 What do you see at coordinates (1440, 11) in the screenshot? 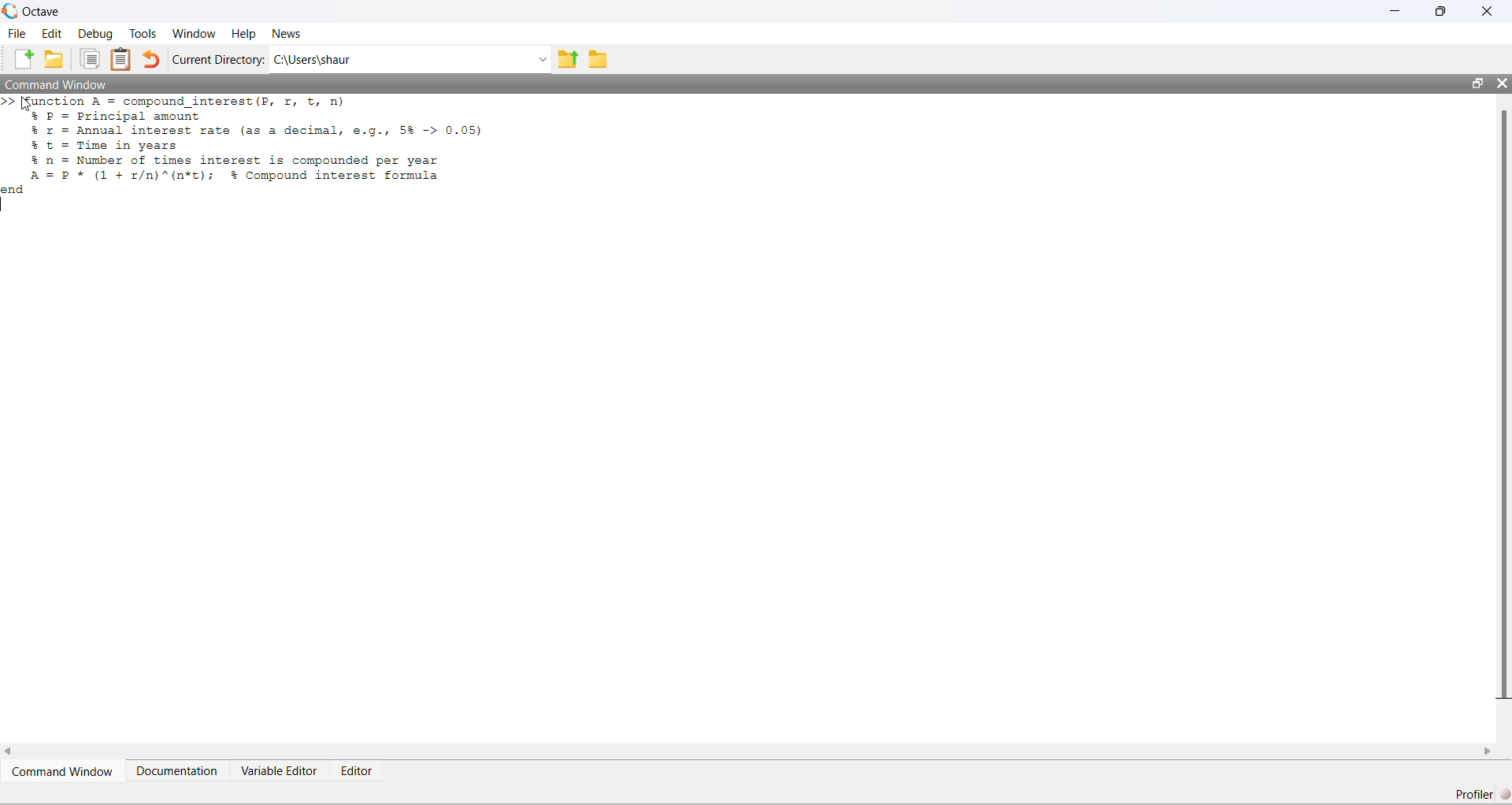
I see `maximize` at bounding box center [1440, 11].